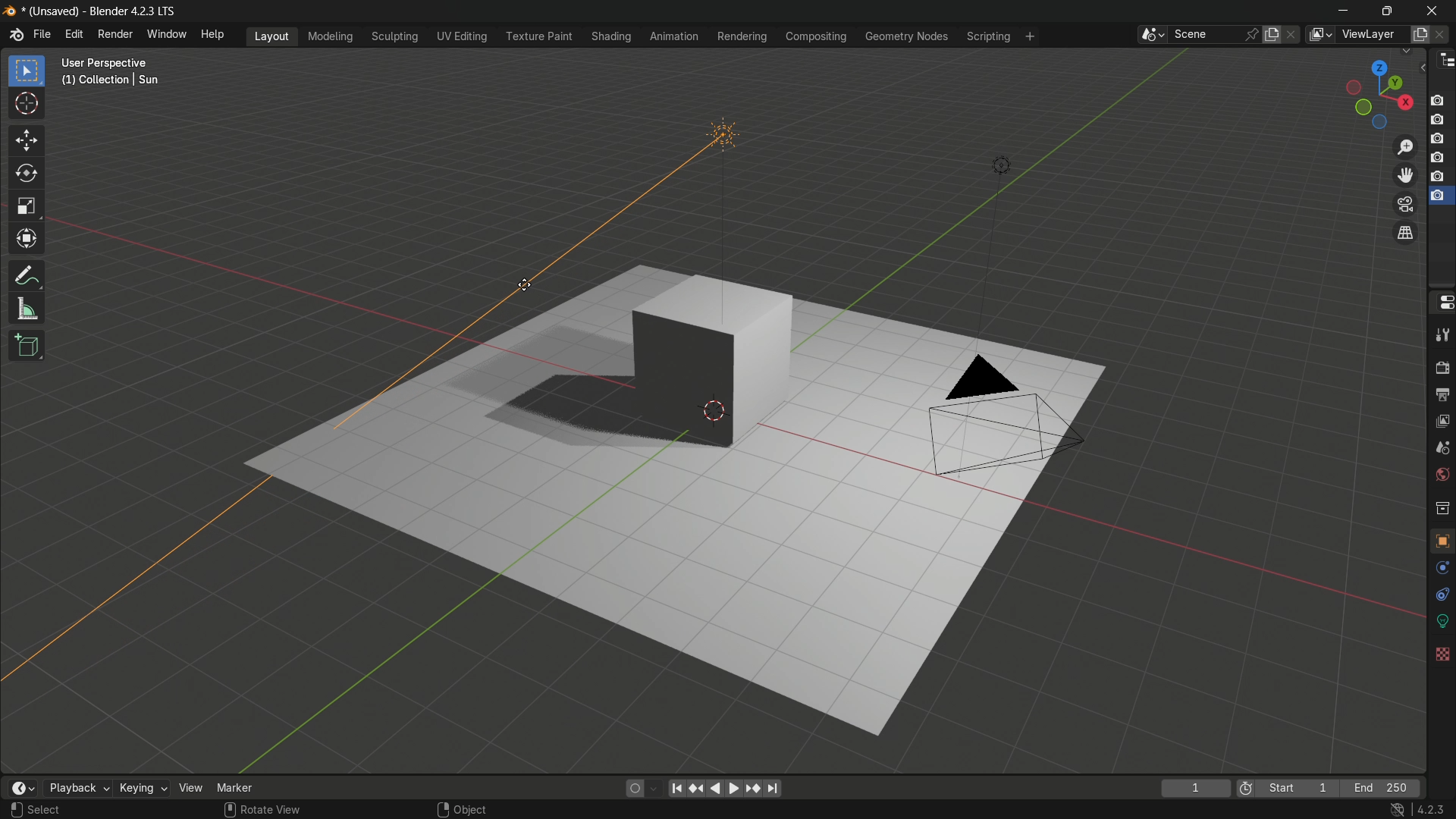 This screenshot has width=1456, height=819. What do you see at coordinates (818, 36) in the screenshot?
I see `compositing` at bounding box center [818, 36].